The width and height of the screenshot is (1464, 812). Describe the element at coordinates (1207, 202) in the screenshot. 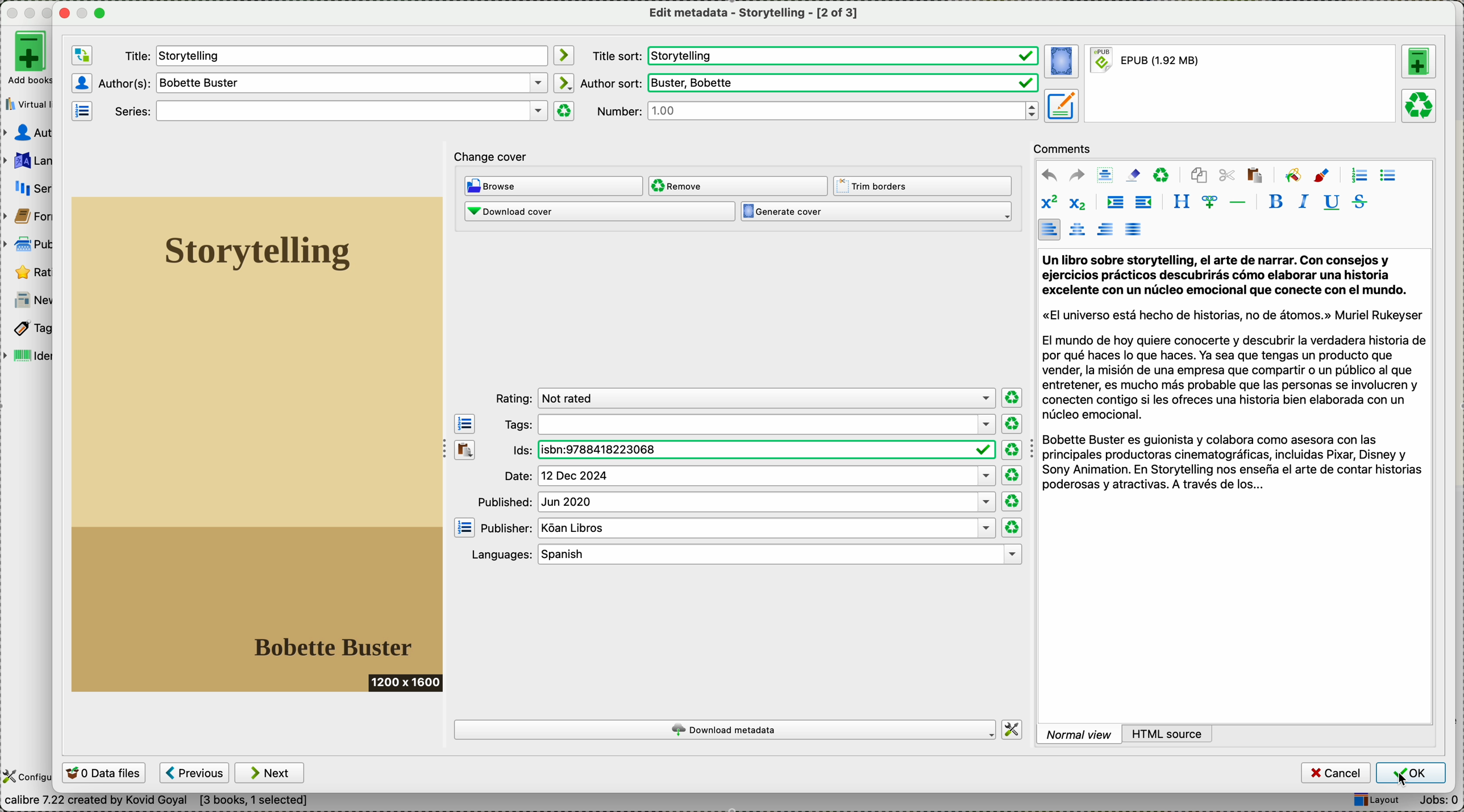

I see `insert link or image` at that location.